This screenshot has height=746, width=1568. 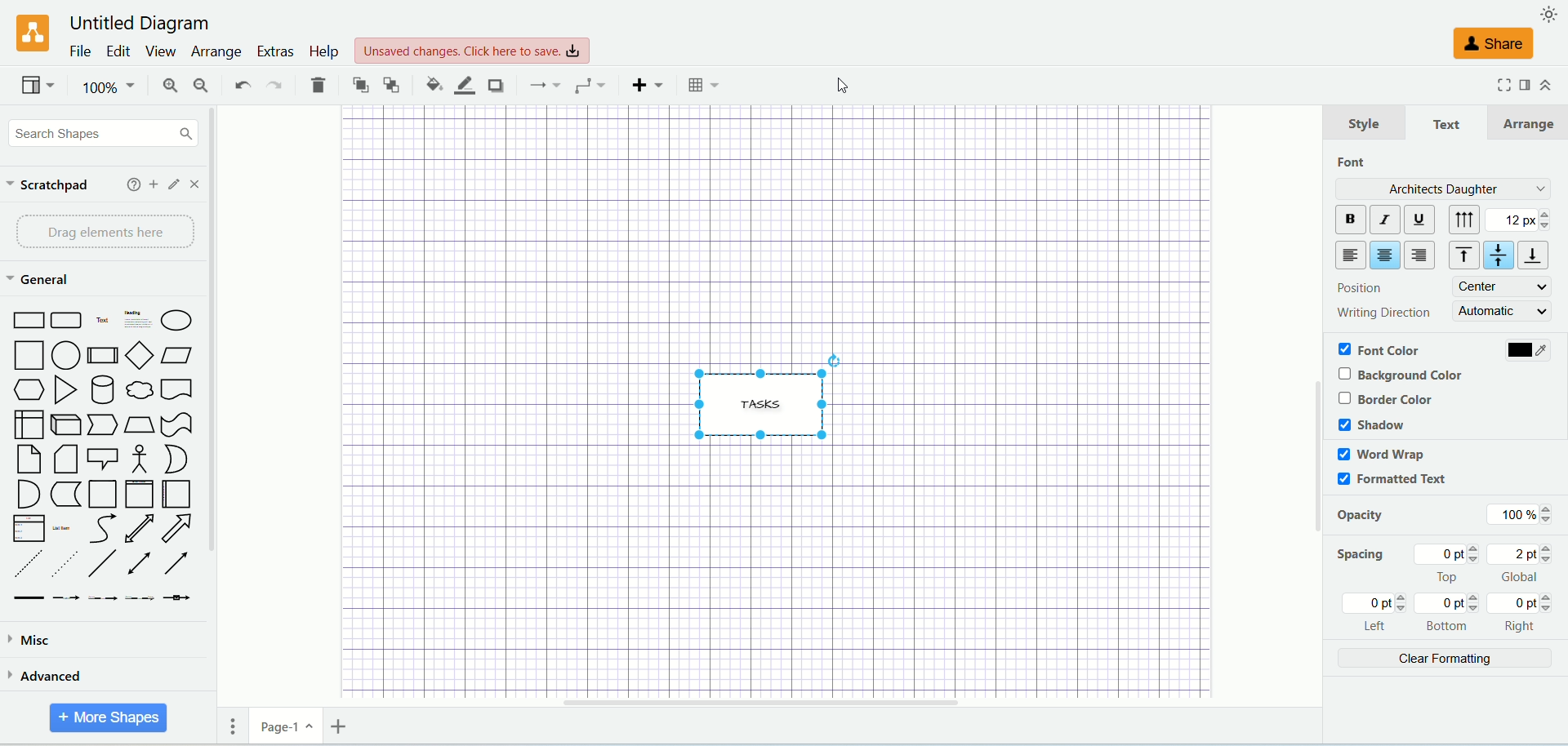 What do you see at coordinates (1383, 219) in the screenshot?
I see `italics` at bounding box center [1383, 219].